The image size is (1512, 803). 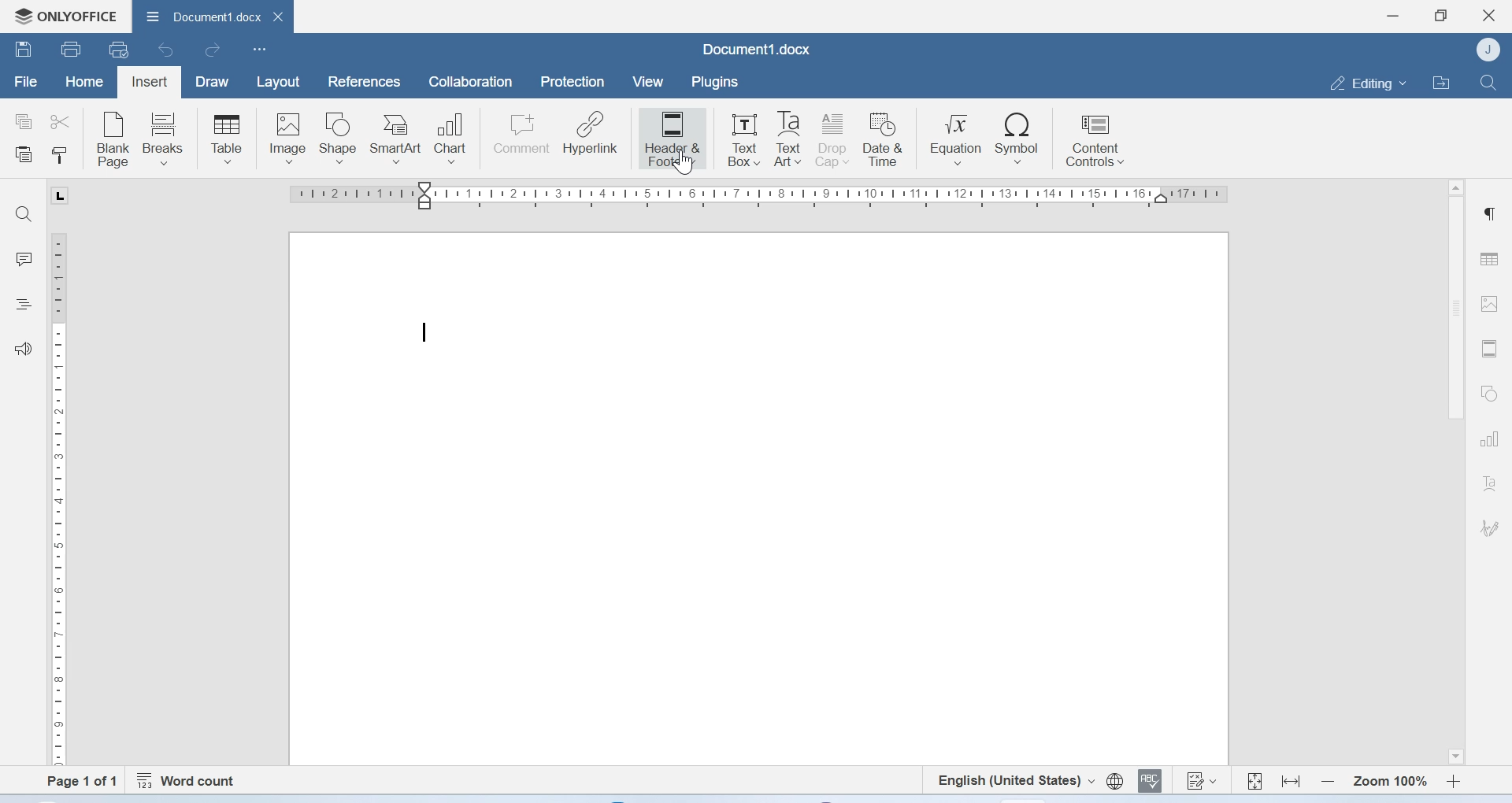 I want to click on Spell checking, so click(x=1152, y=782).